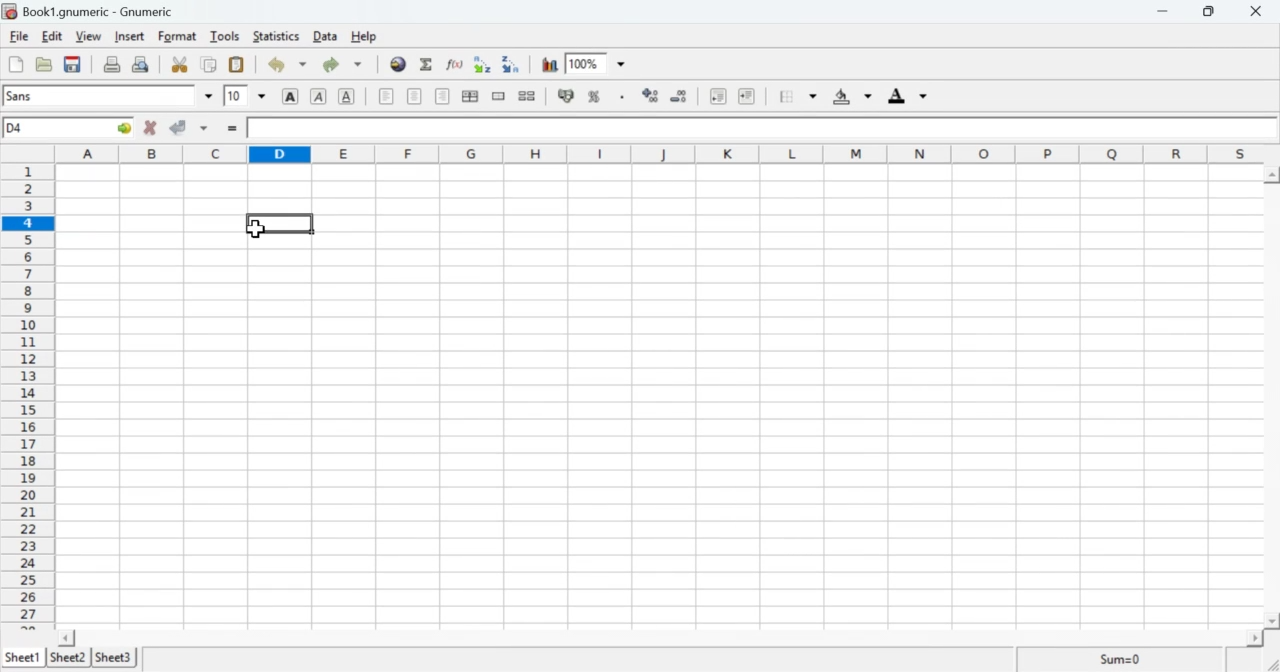  I want to click on Save, so click(72, 65).